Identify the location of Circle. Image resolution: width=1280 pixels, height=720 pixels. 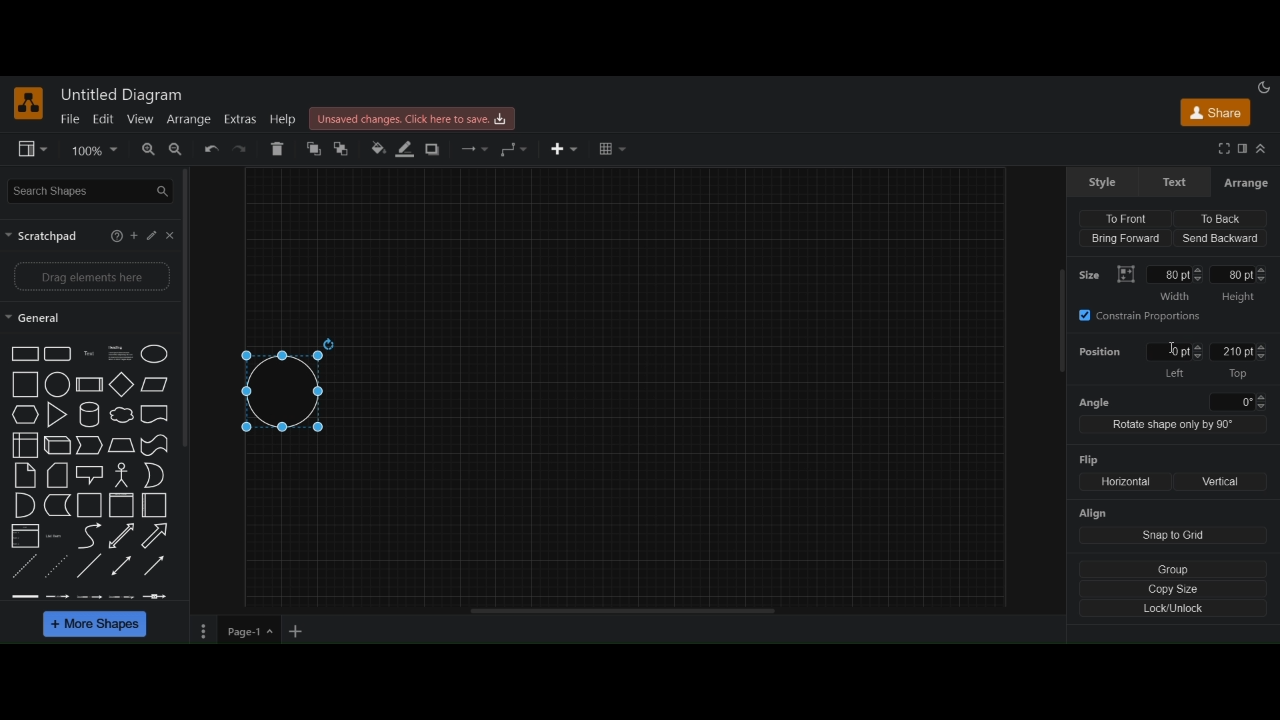
(156, 354).